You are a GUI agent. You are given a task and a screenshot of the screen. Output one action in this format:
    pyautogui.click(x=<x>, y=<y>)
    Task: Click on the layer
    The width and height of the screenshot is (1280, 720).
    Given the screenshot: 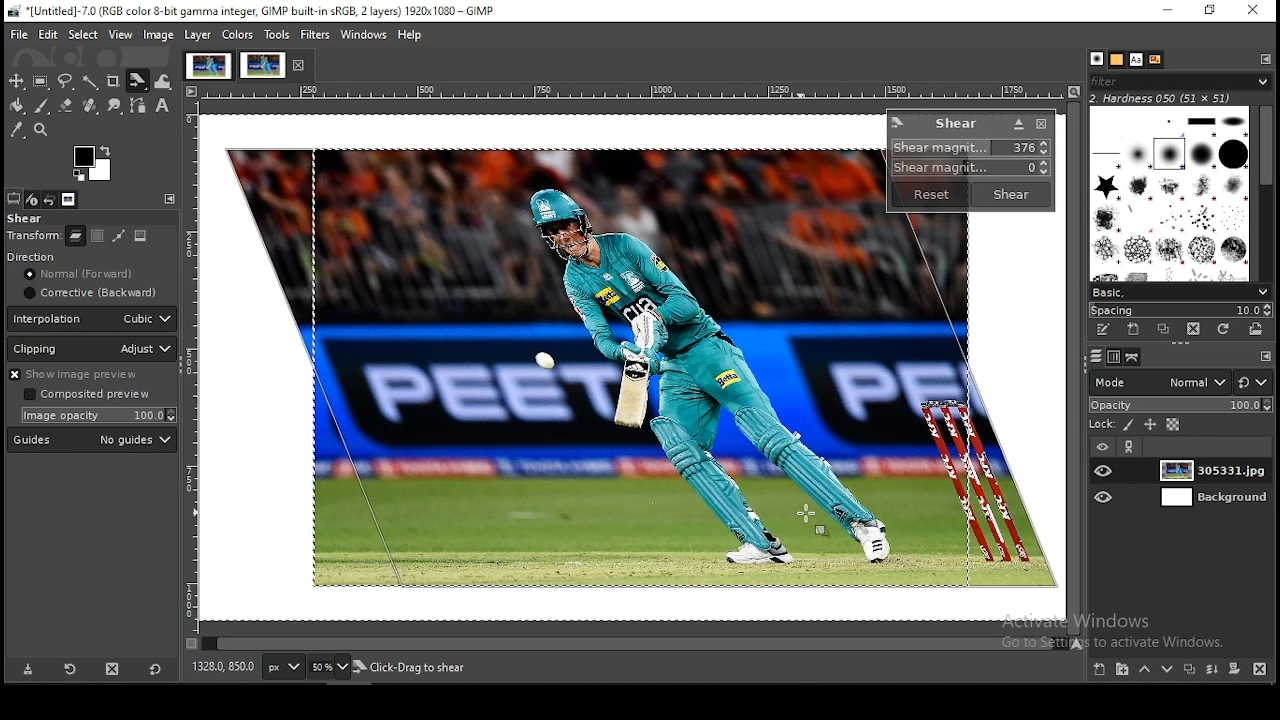 What is the action you would take?
    pyautogui.click(x=76, y=236)
    